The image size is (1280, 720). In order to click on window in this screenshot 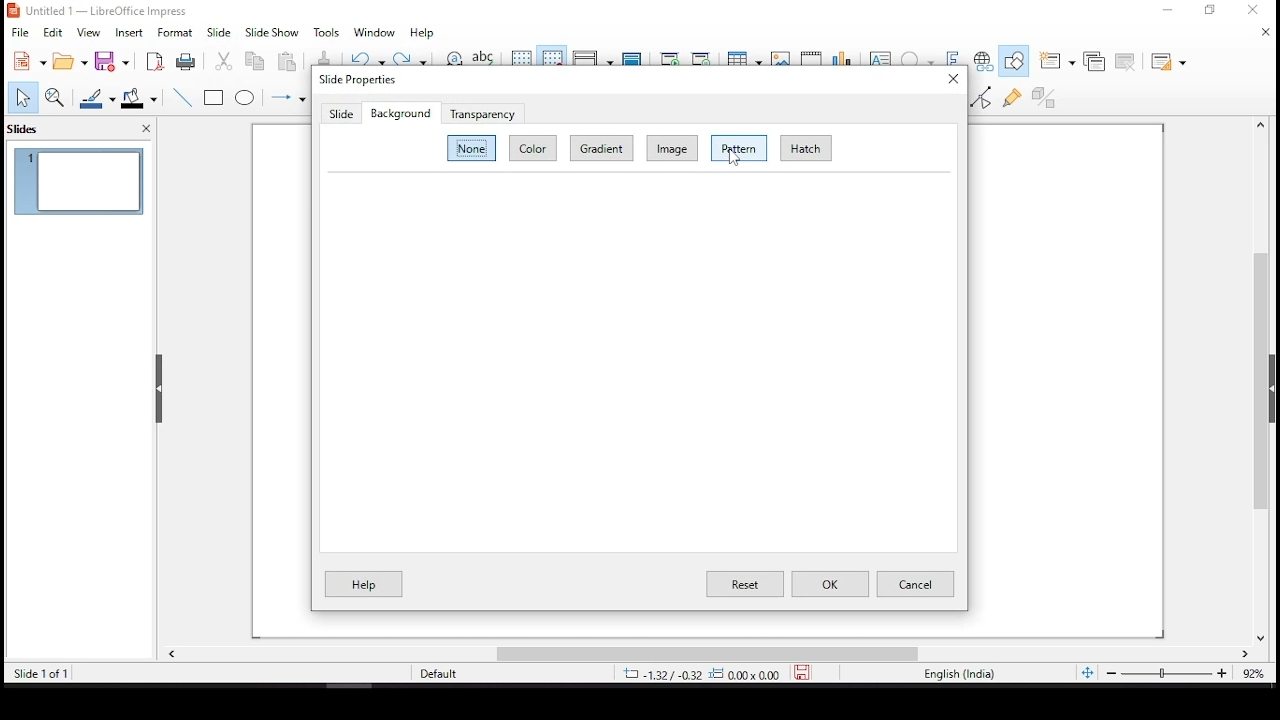, I will do `click(371, 32)`.